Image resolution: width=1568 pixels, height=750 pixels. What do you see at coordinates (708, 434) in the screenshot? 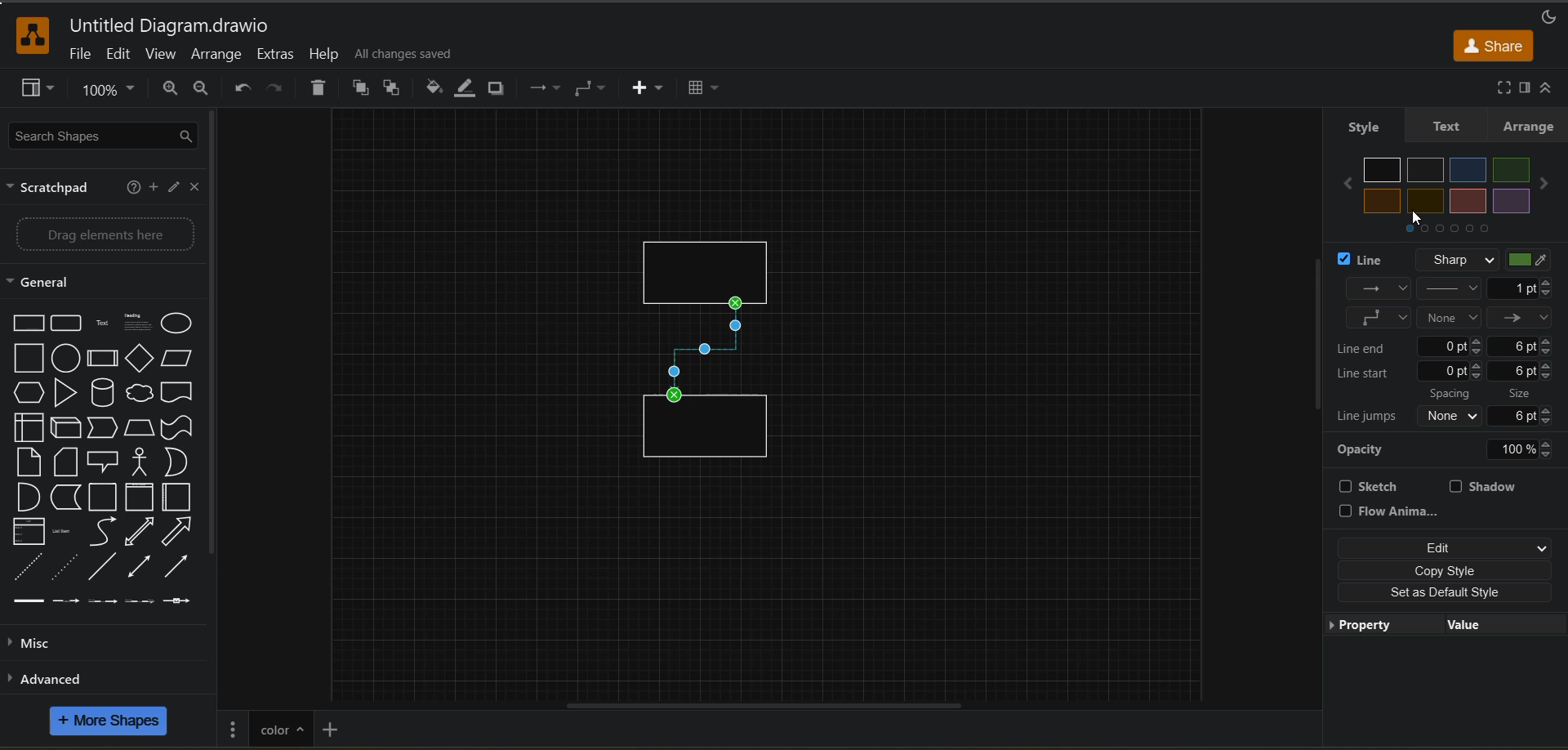
I see `rectangle` at bounding box center [708, 434].